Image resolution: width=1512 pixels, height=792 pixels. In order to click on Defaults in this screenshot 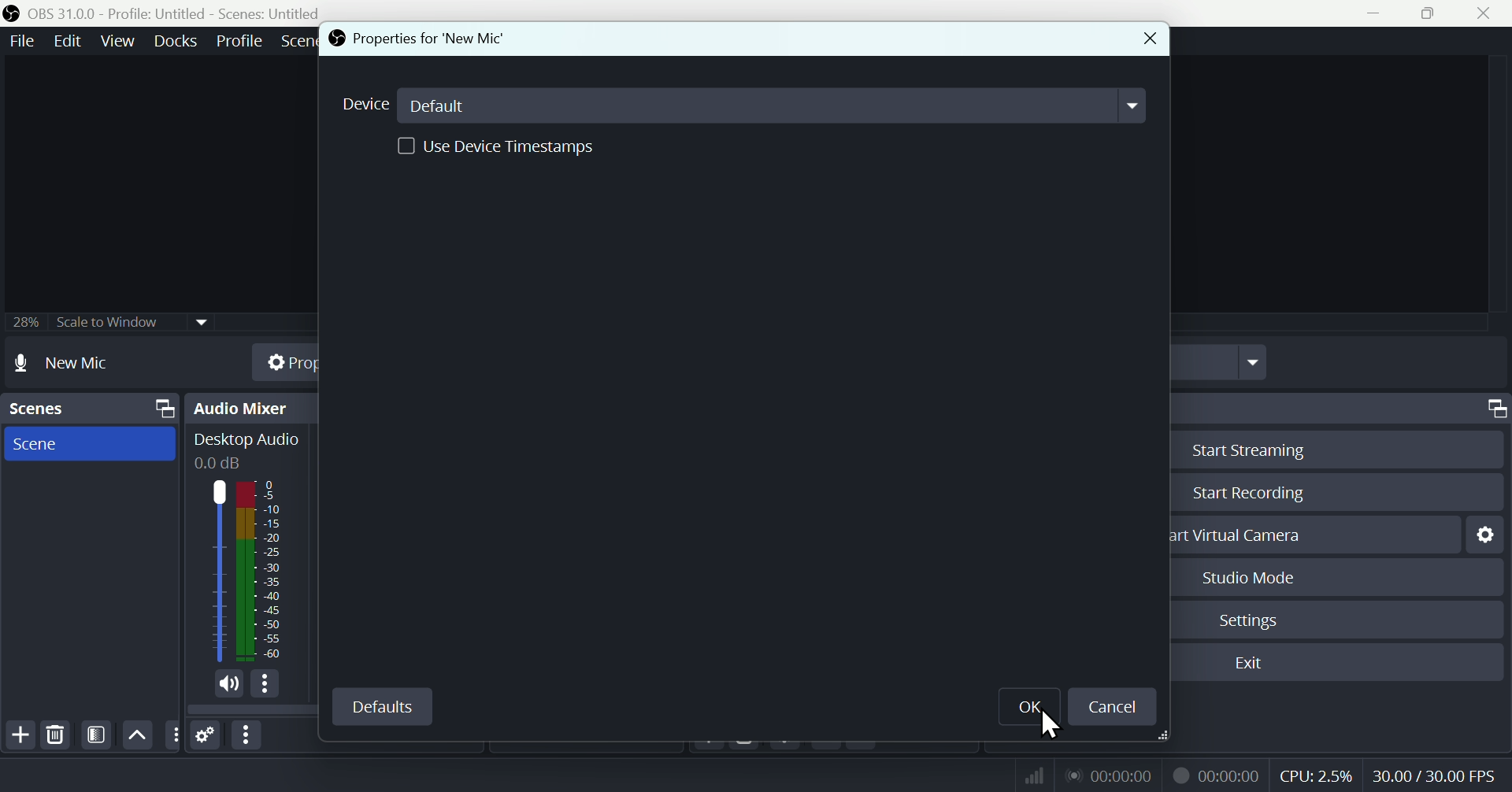, I will do `click(381, 706)`.